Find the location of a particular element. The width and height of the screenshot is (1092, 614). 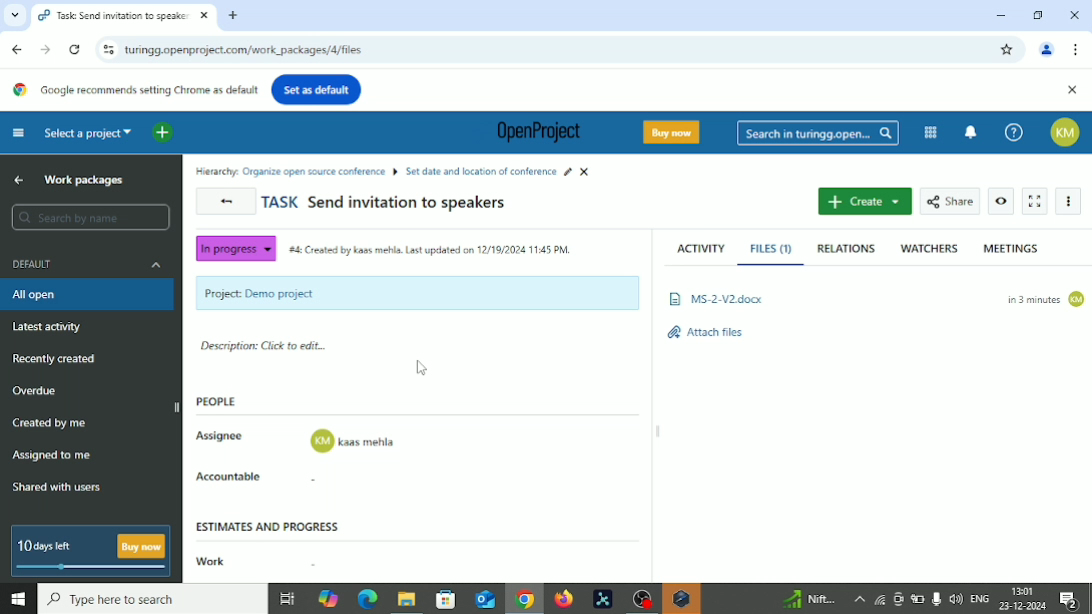

Attach files is located at coordinates (709, 334).